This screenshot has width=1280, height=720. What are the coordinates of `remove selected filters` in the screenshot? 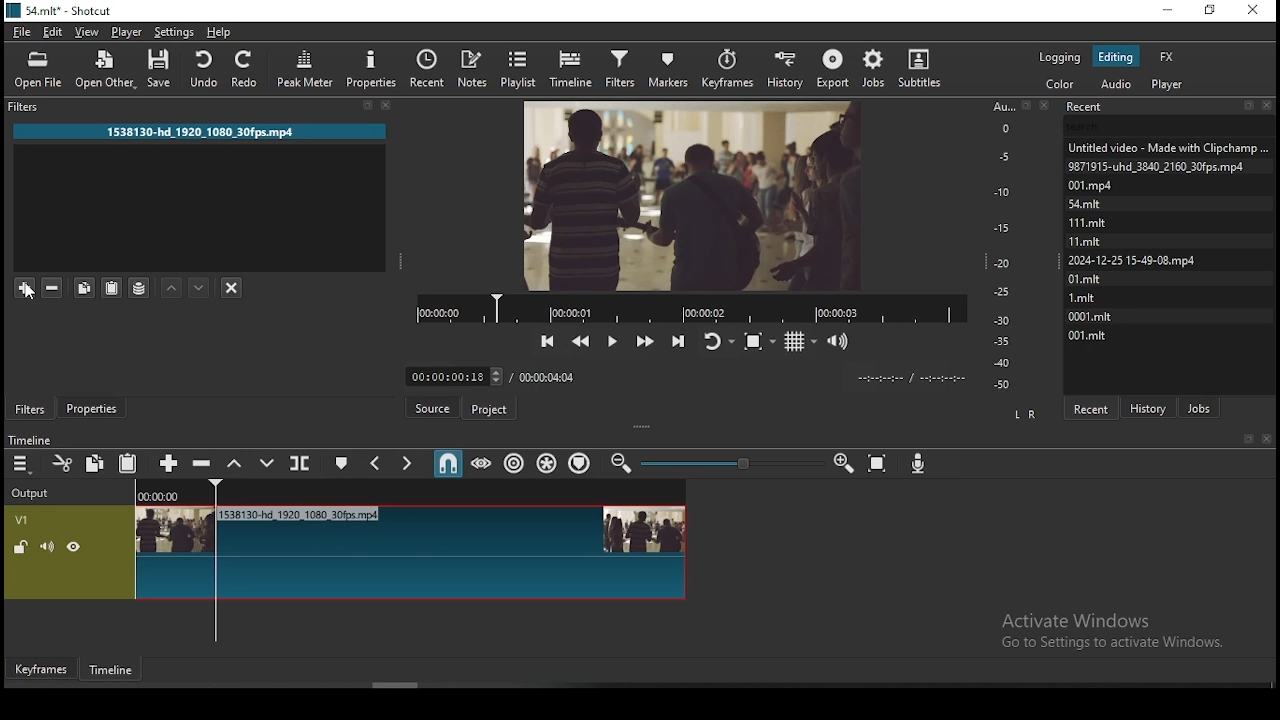 It's located at (53, 287).